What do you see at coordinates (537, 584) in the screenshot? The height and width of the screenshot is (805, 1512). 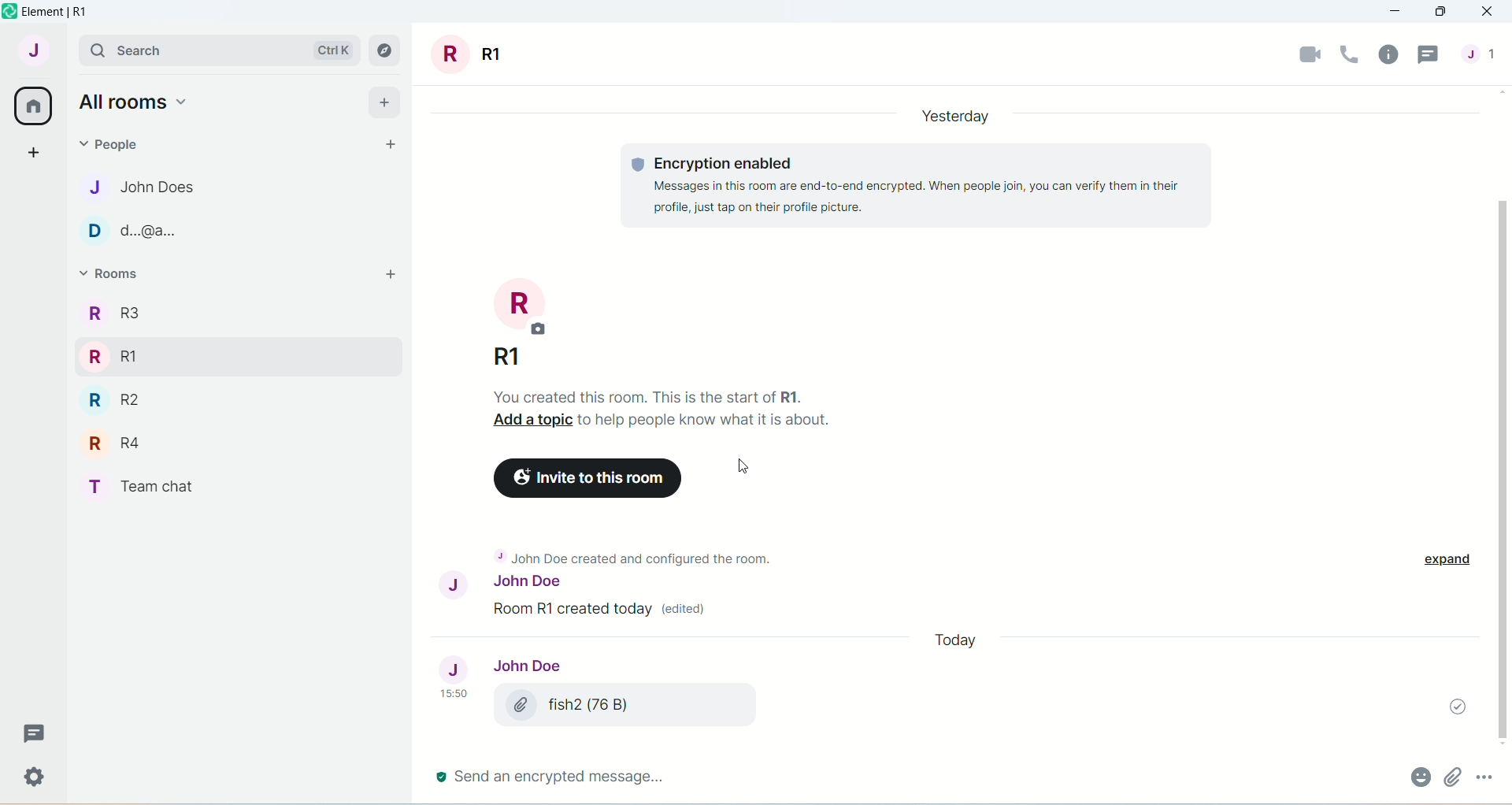 I see `John Doe` at bounding box center [537, 584].